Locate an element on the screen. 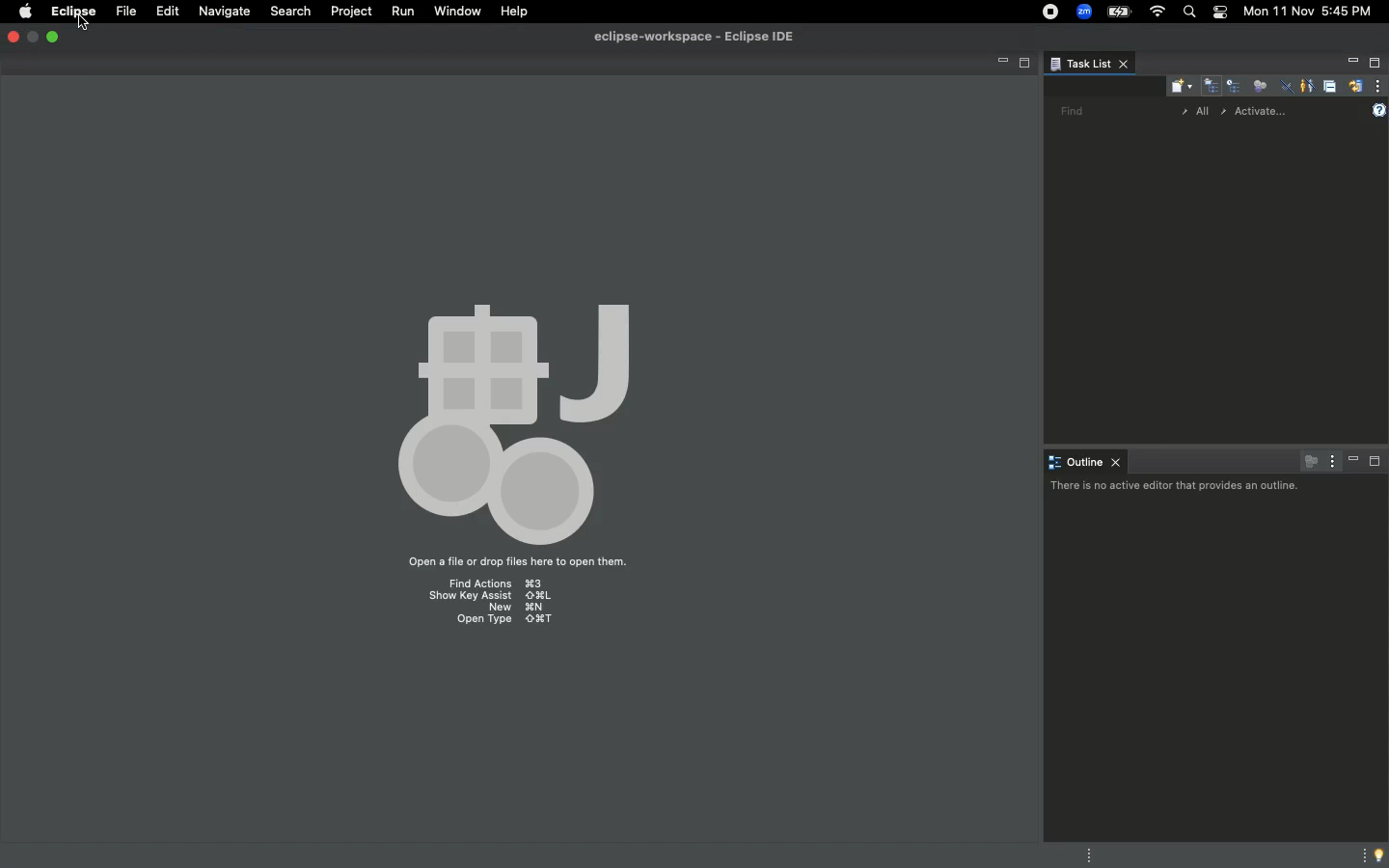 The image size is (1389, 868). Minimize is located at coordinates (51, 39).